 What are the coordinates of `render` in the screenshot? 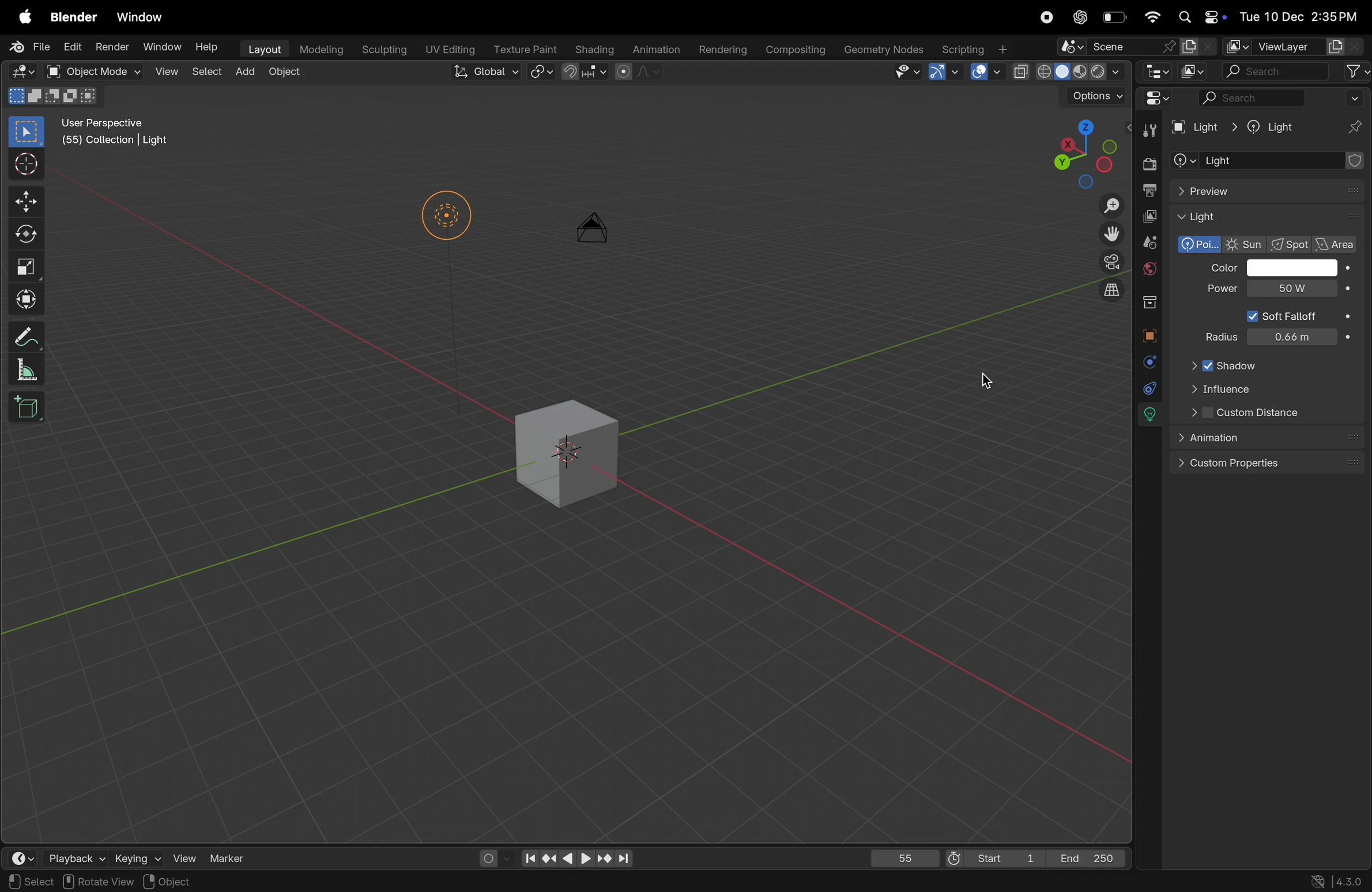 It's located at (1148, 161).